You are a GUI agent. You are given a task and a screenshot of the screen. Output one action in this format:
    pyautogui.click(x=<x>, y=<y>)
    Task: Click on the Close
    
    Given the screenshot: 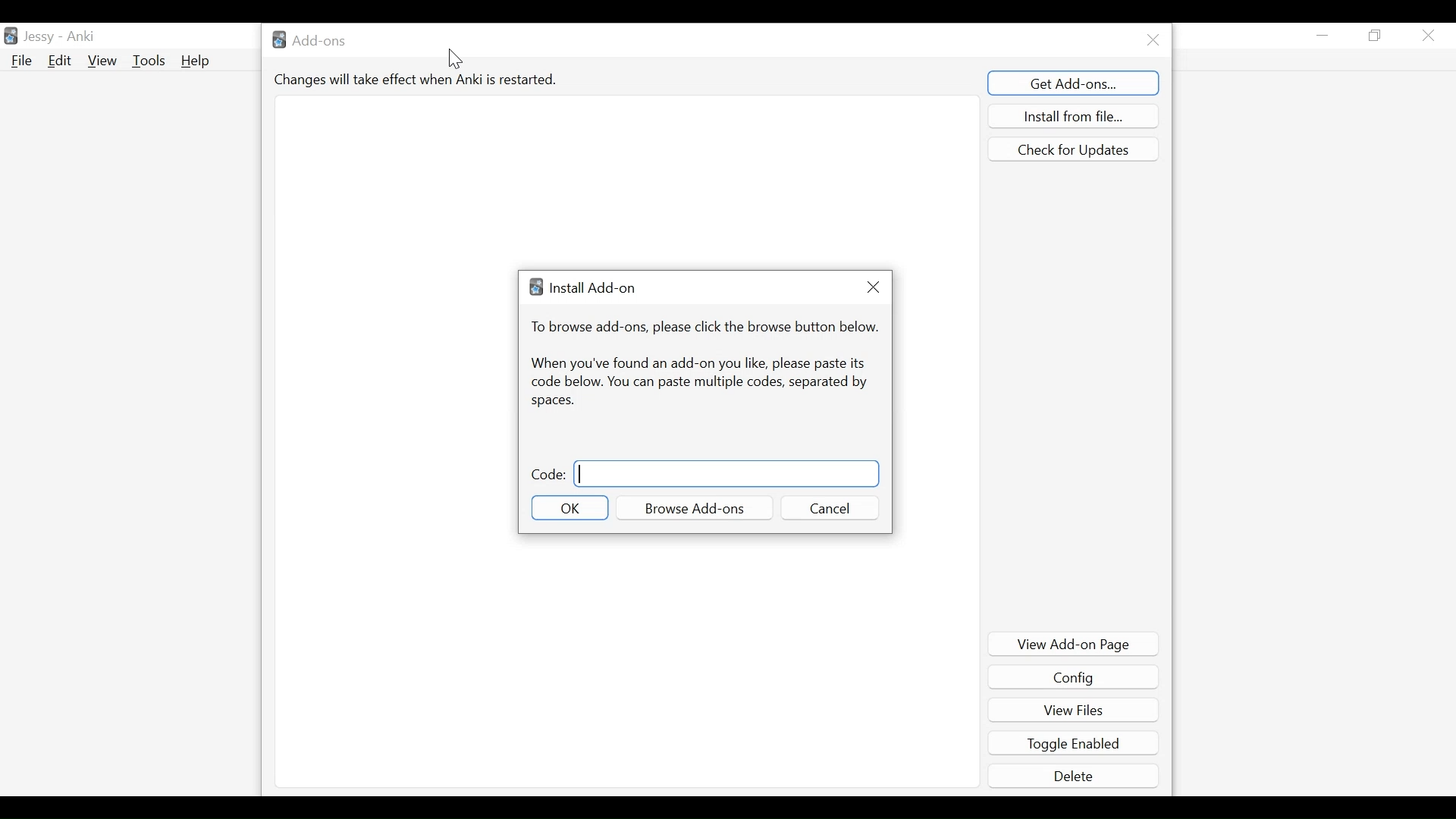 What is the action you would take?
    pyautogui.click(x=872, y=287)
    